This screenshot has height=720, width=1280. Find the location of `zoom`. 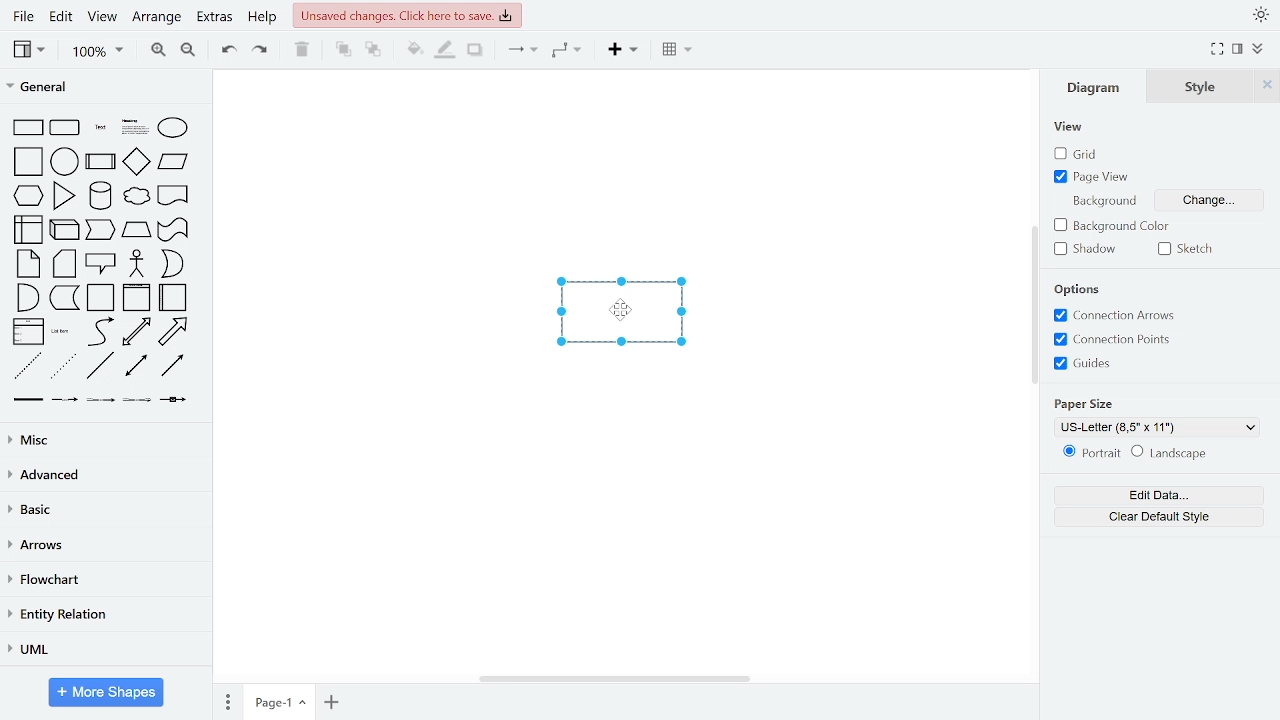

zoom is located at coordinates (100, 52).